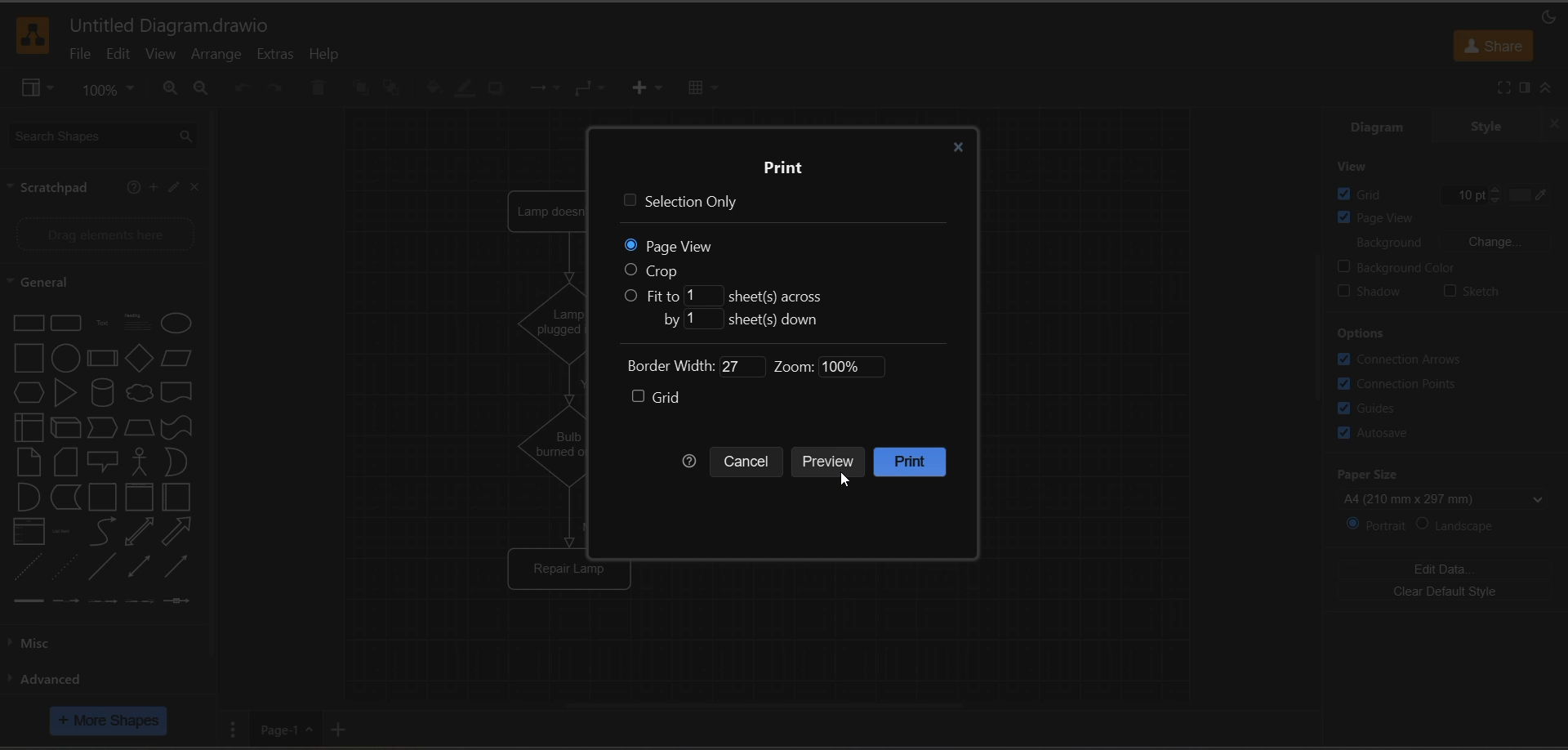 This screenshot has width=1568, height=750. I want to click on insert, so click(645, 88).